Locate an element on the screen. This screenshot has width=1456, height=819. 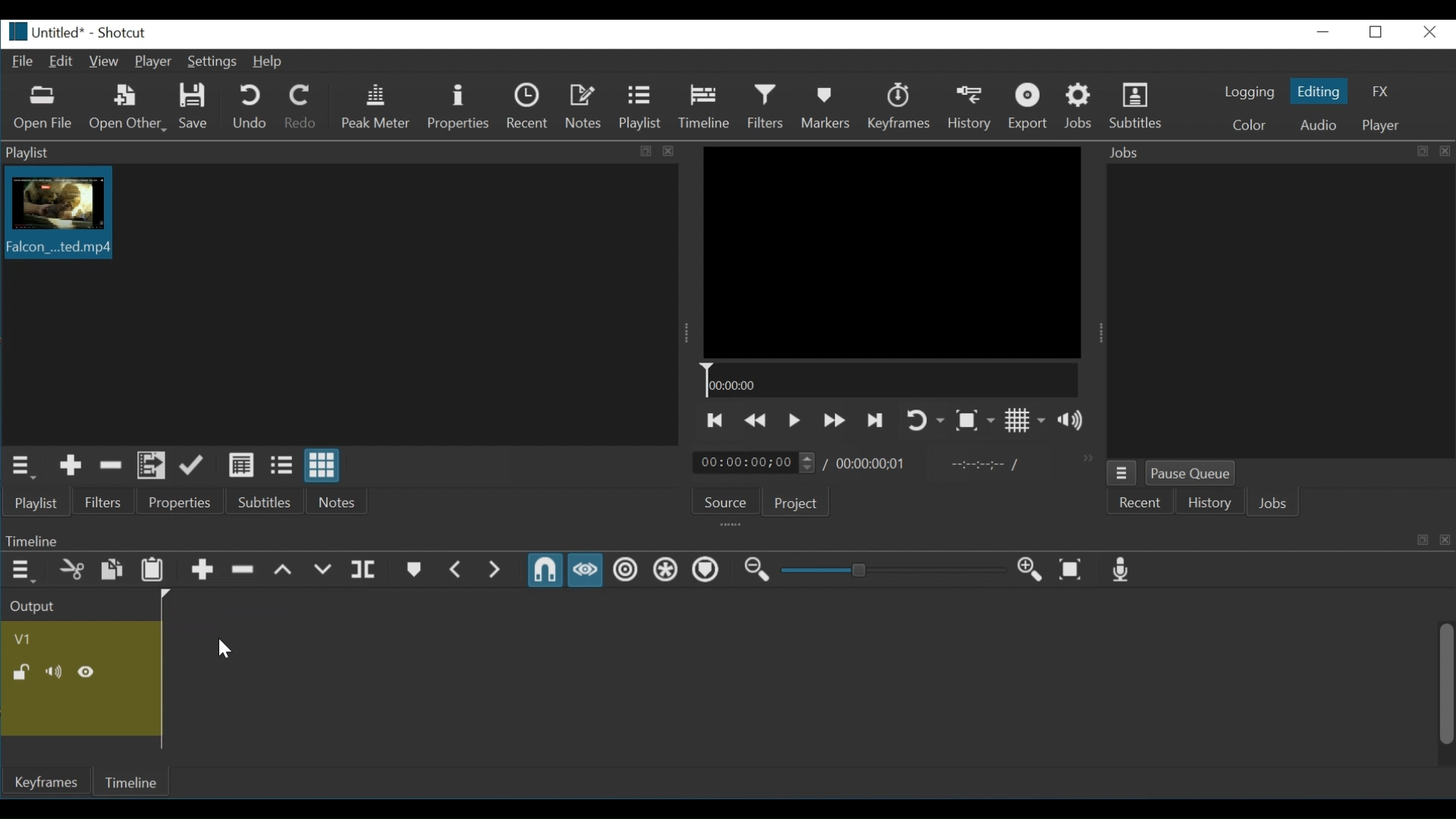
View as detail is located at coordinates (242, 466).